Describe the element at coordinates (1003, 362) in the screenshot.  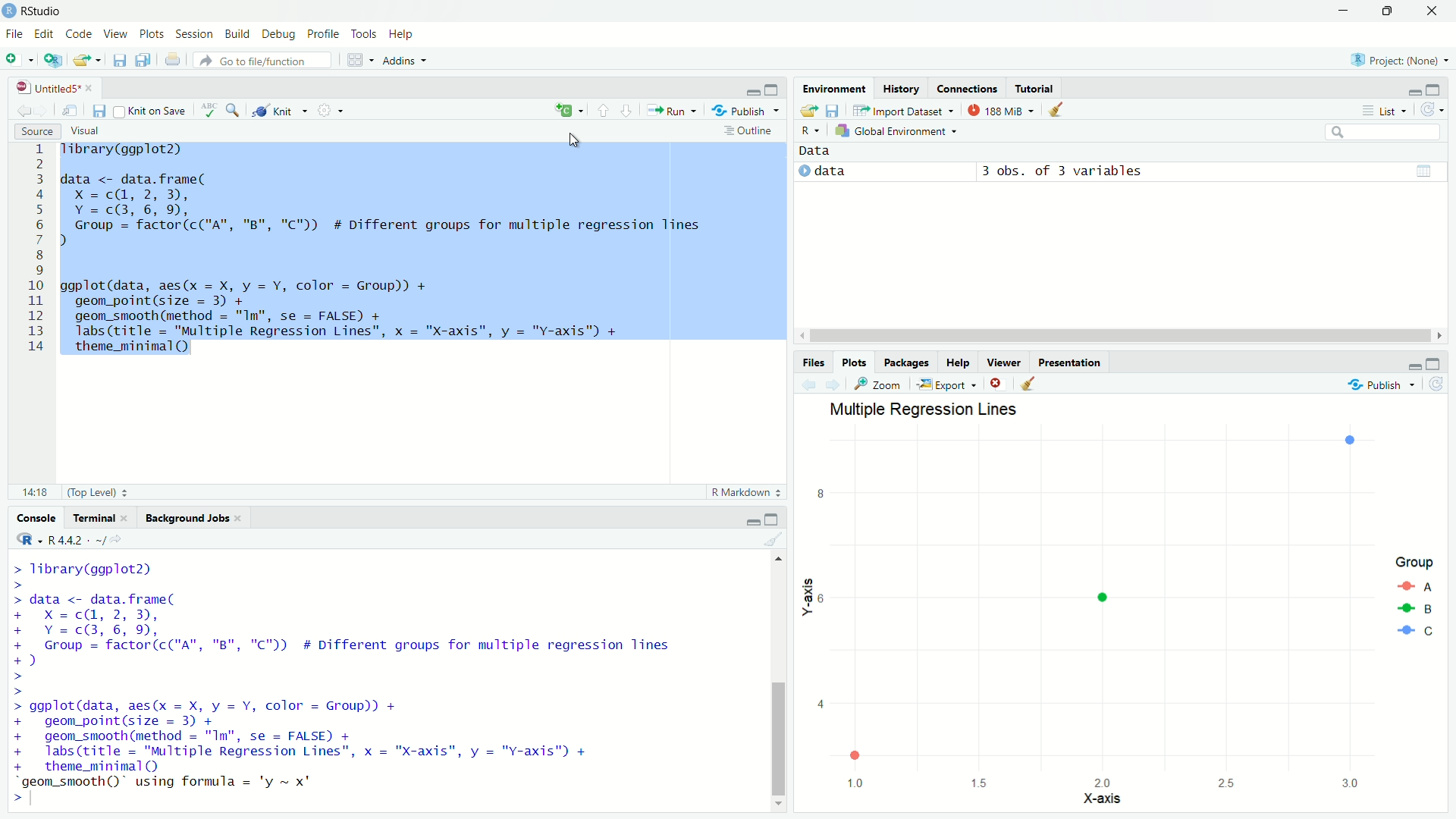
I see `Viewer` at that location.